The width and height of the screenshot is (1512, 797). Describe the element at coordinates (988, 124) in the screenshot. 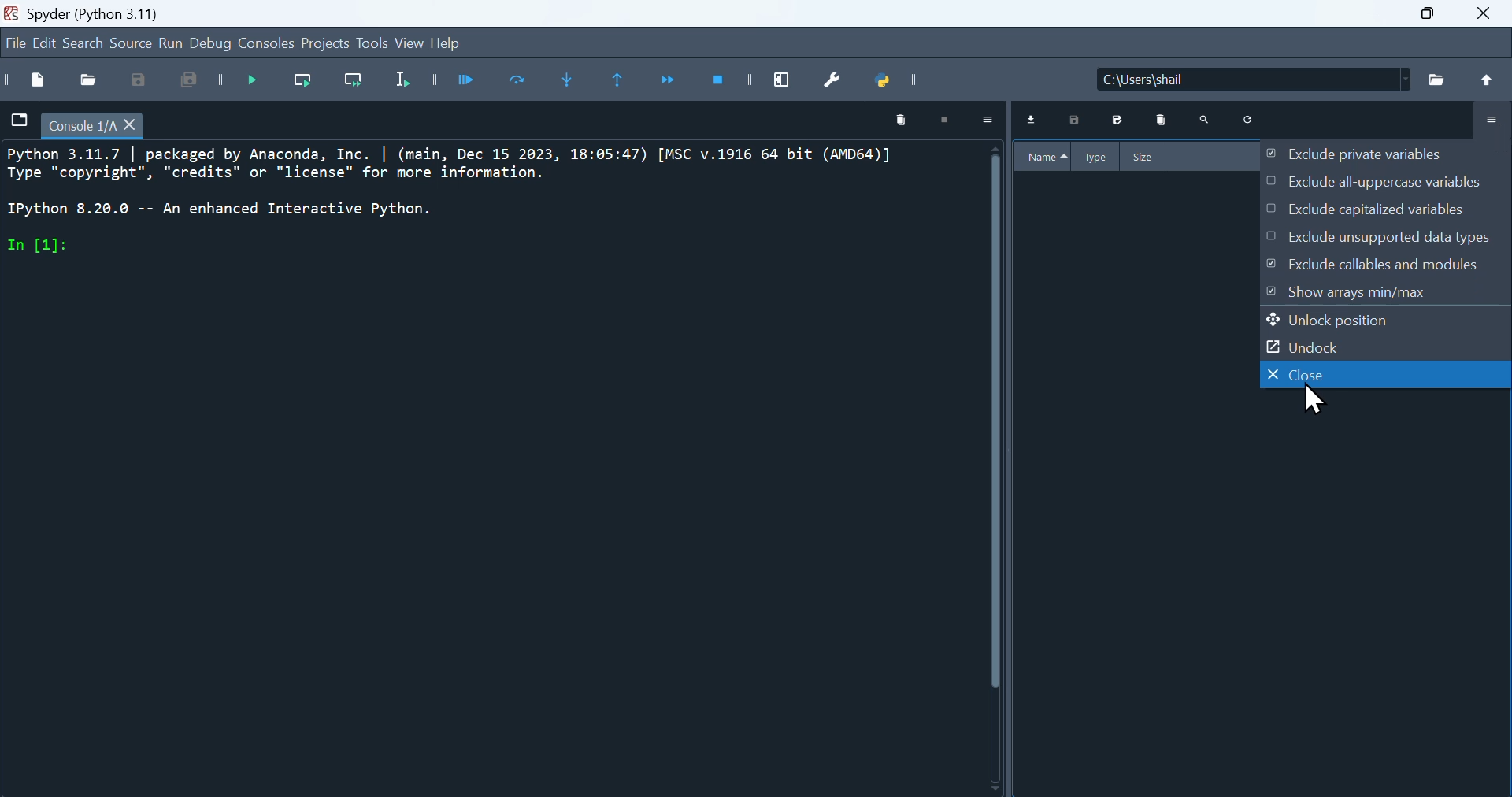

I see `more options` at that location.